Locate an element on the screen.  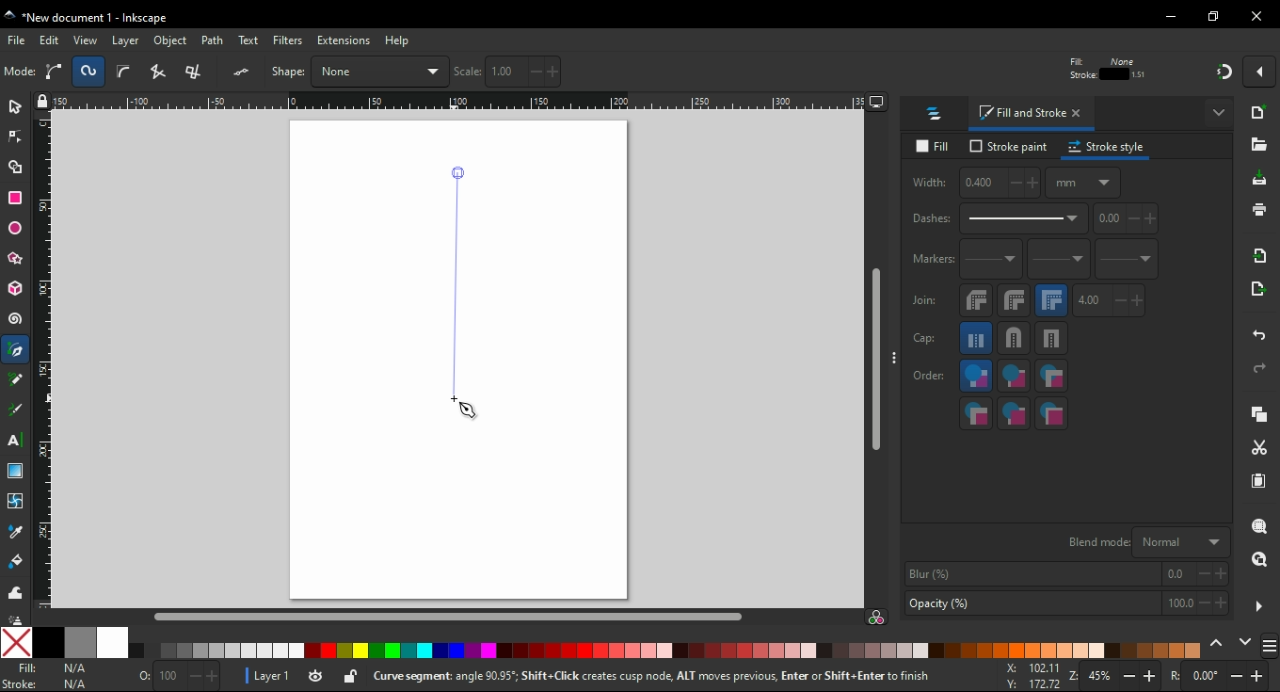
color schemes is located at coordinates (1268, 649).